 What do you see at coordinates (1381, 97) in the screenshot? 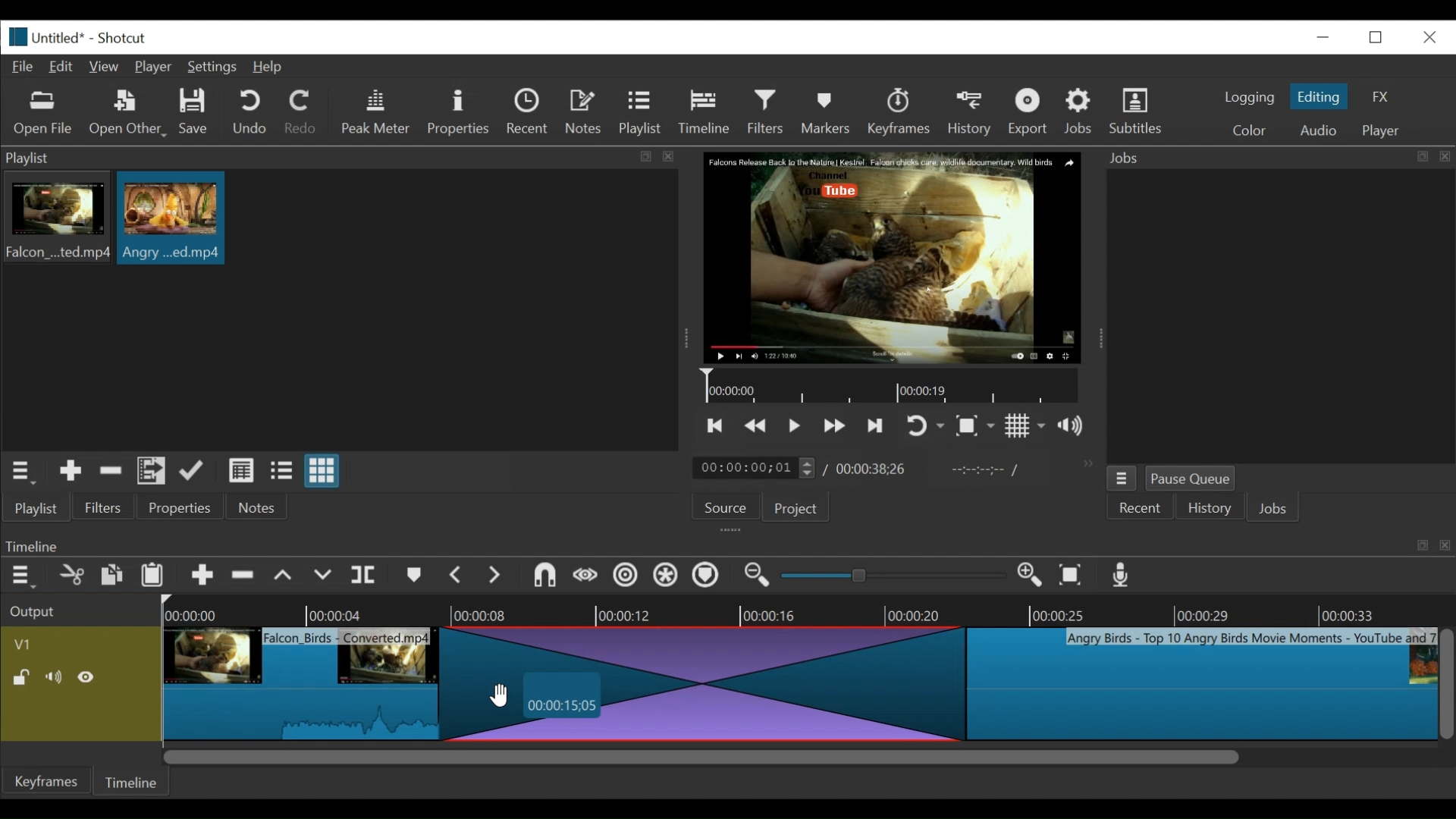
I see `FX` at bounding box center [1381, 97].